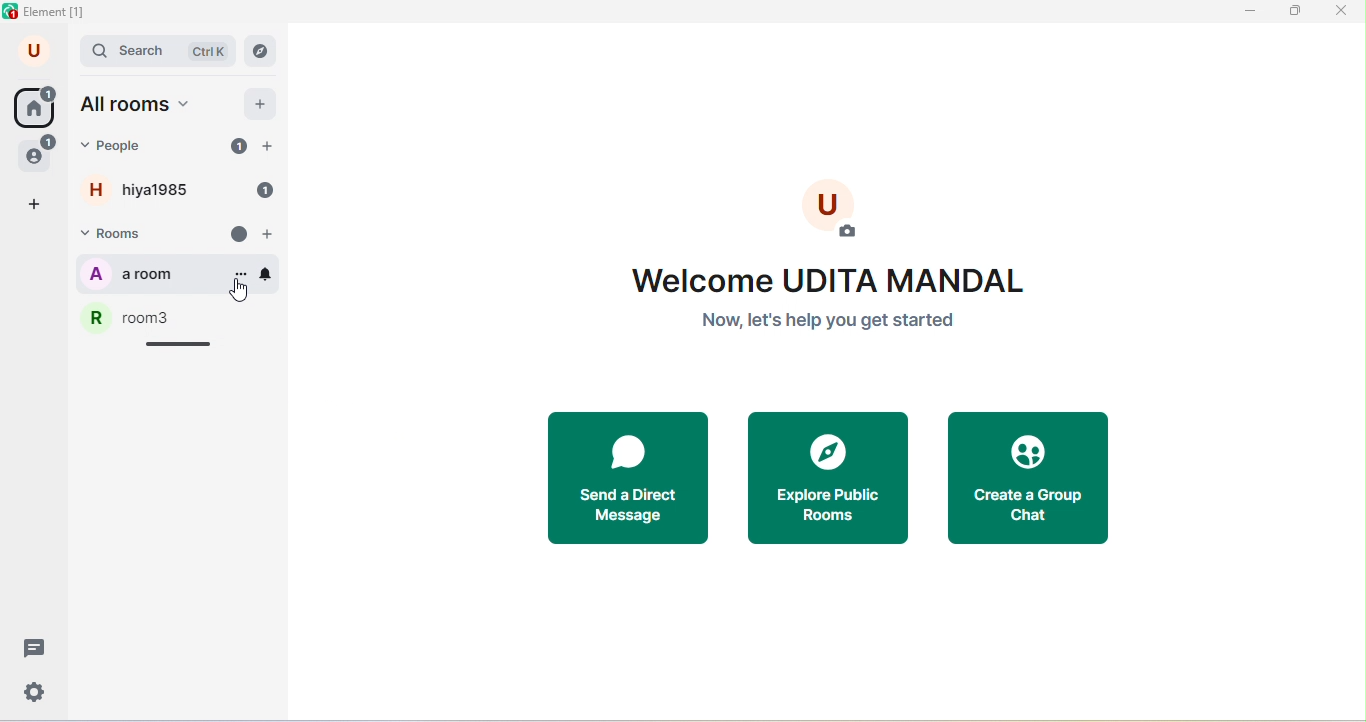 This screenshot has height=722, width=1366. Describe the element at coordinates (38, 153) in the screenshot. I see `people` at that location.